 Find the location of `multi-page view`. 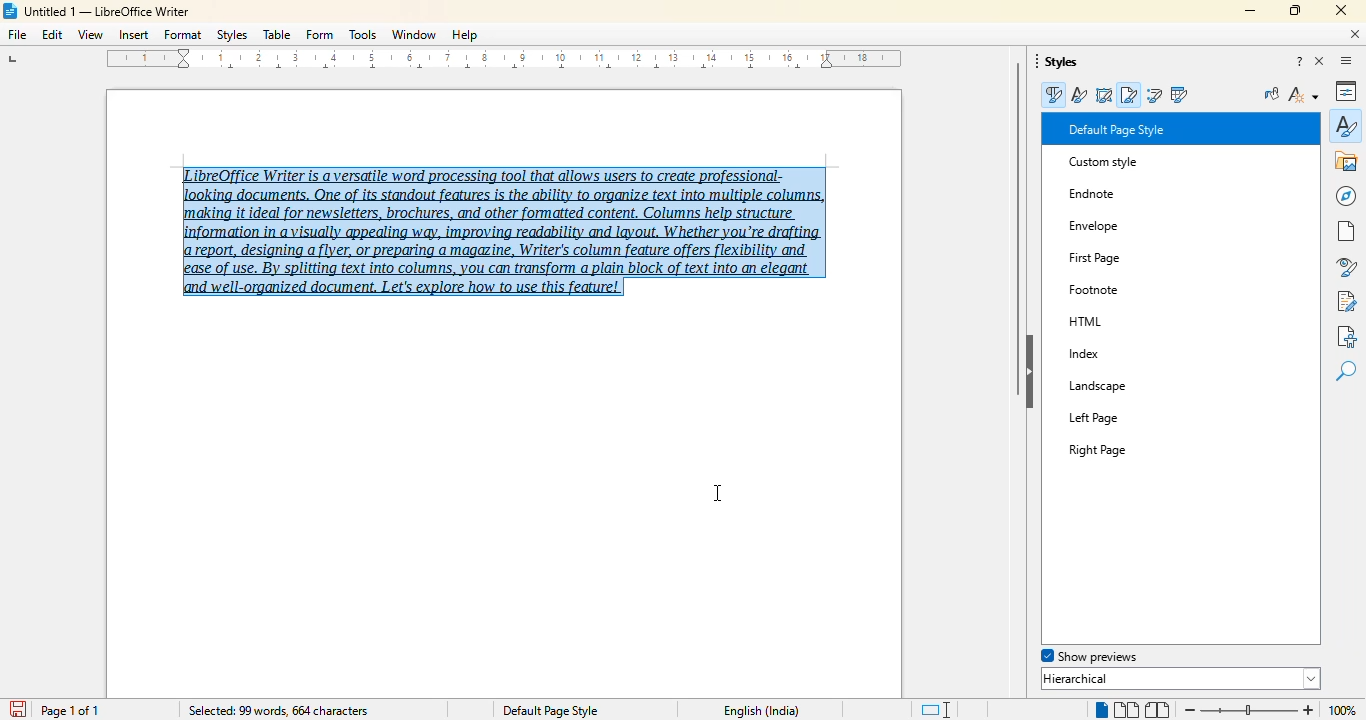

multi-page view is located at coordinates (1125, 709).